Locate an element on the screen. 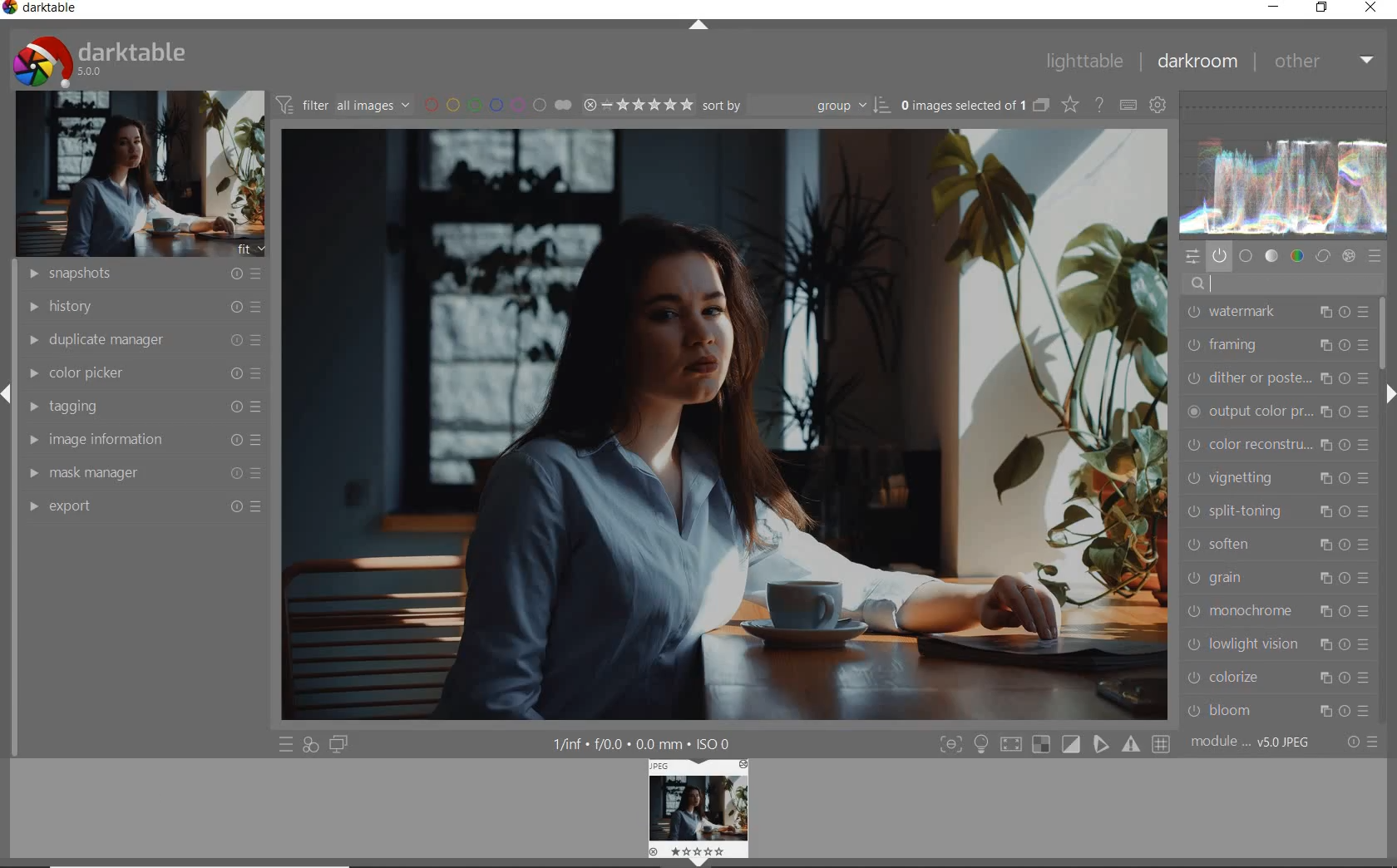 The width and height of the screenshot is (1397, 868). image information is located at coordinates (143, 440).